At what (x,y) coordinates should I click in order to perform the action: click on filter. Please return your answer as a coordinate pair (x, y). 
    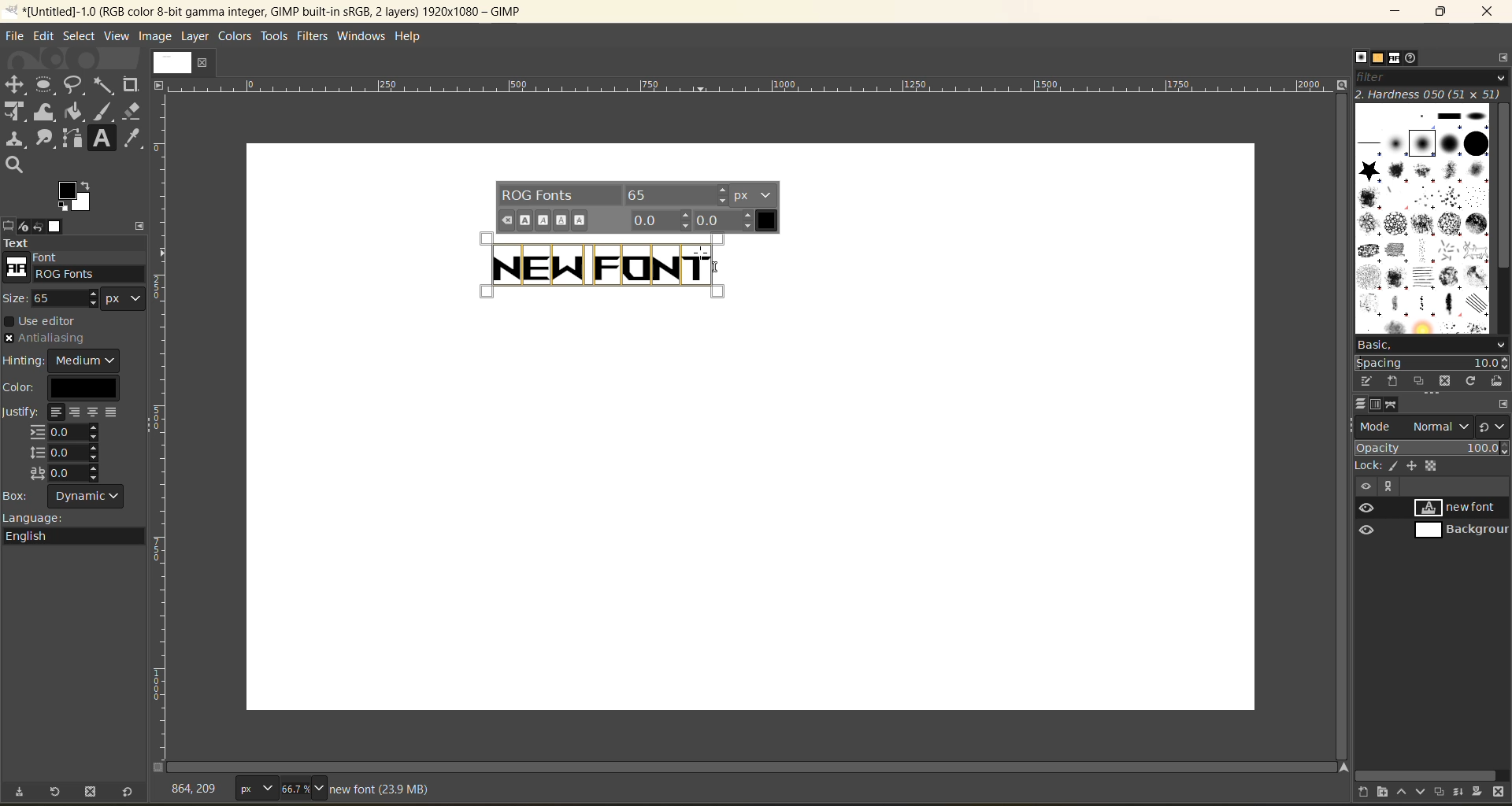
    Looking at the image, I should click on (1430, 79).